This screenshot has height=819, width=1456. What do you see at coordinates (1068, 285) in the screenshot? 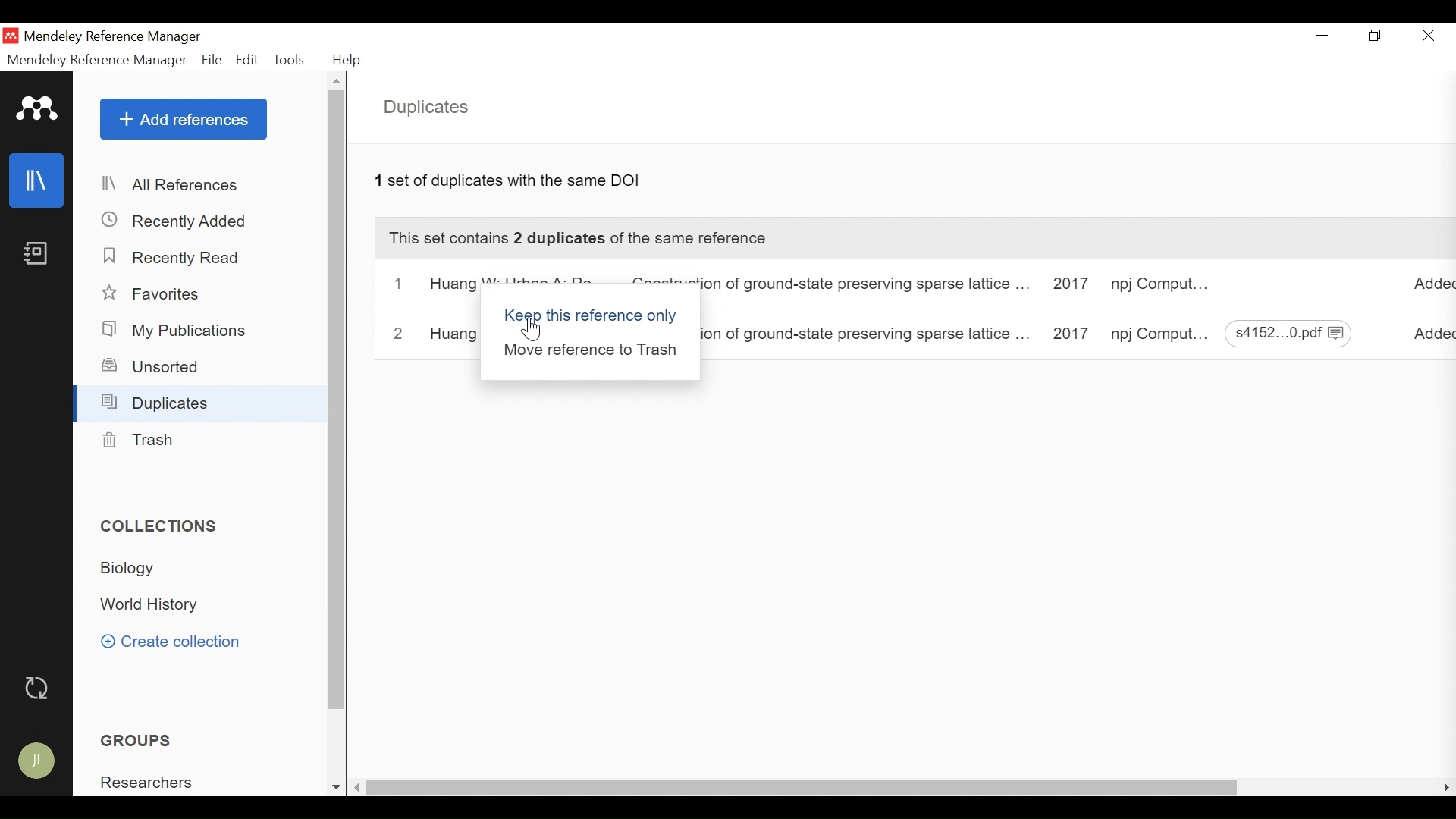
I see `Year` at bounding box center [1068, 285].